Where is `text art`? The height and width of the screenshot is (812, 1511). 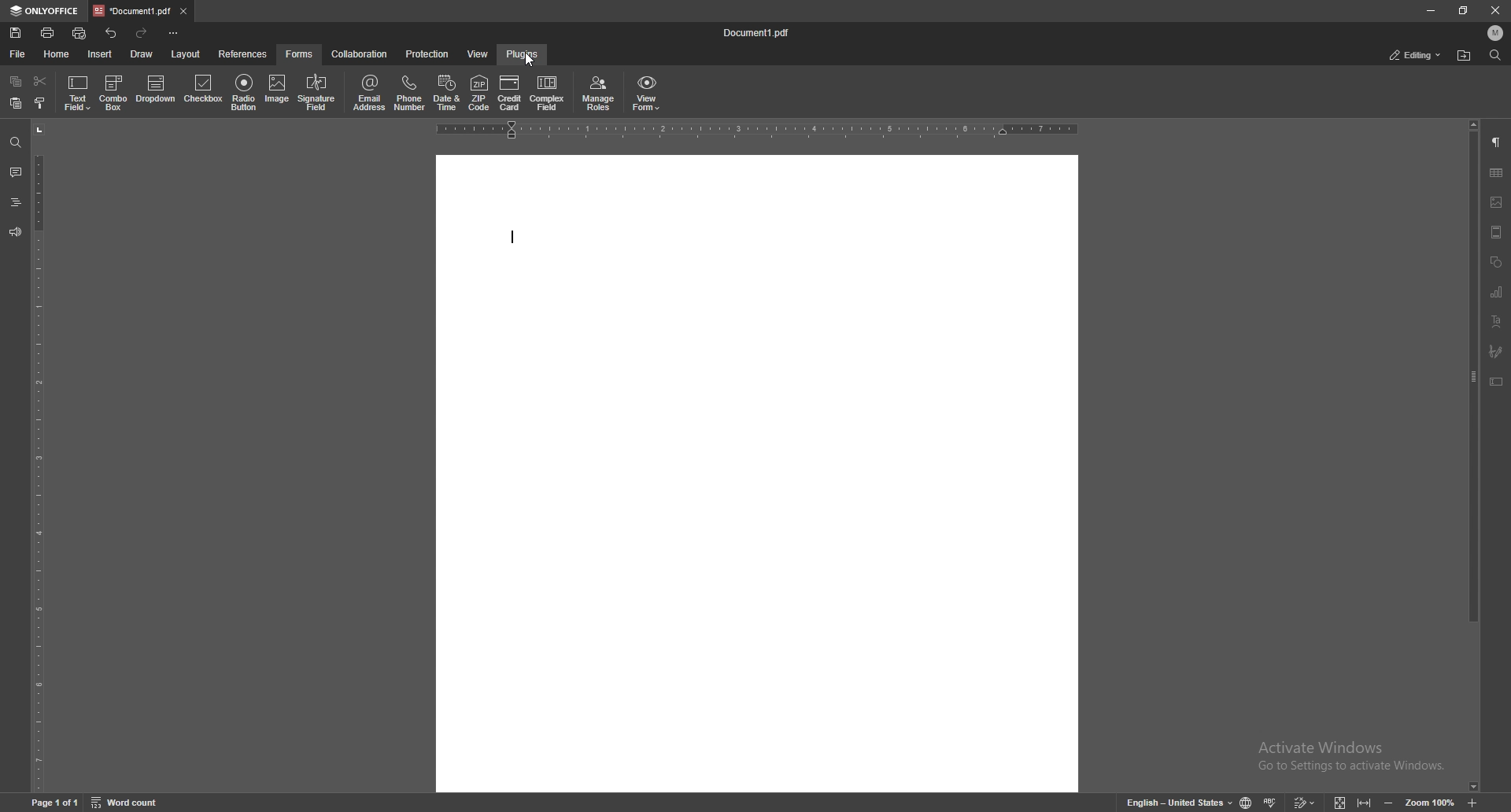
text art is located at coordinates (1498, 321).